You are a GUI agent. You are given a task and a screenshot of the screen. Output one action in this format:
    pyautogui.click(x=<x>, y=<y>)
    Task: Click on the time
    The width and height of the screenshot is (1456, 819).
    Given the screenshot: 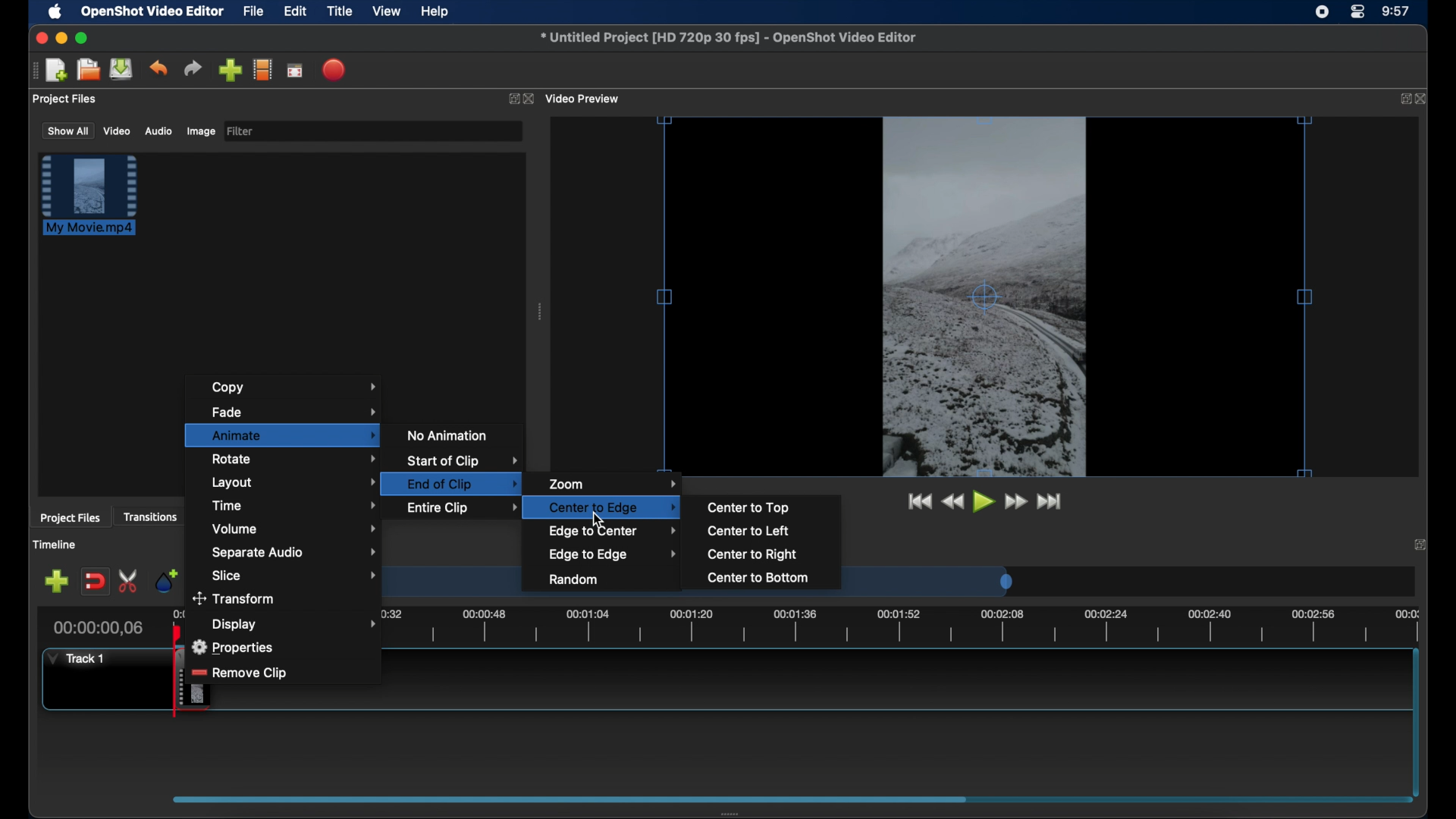 What is the action you would take?
    pyautogui.click(x=1397, y=12)
    